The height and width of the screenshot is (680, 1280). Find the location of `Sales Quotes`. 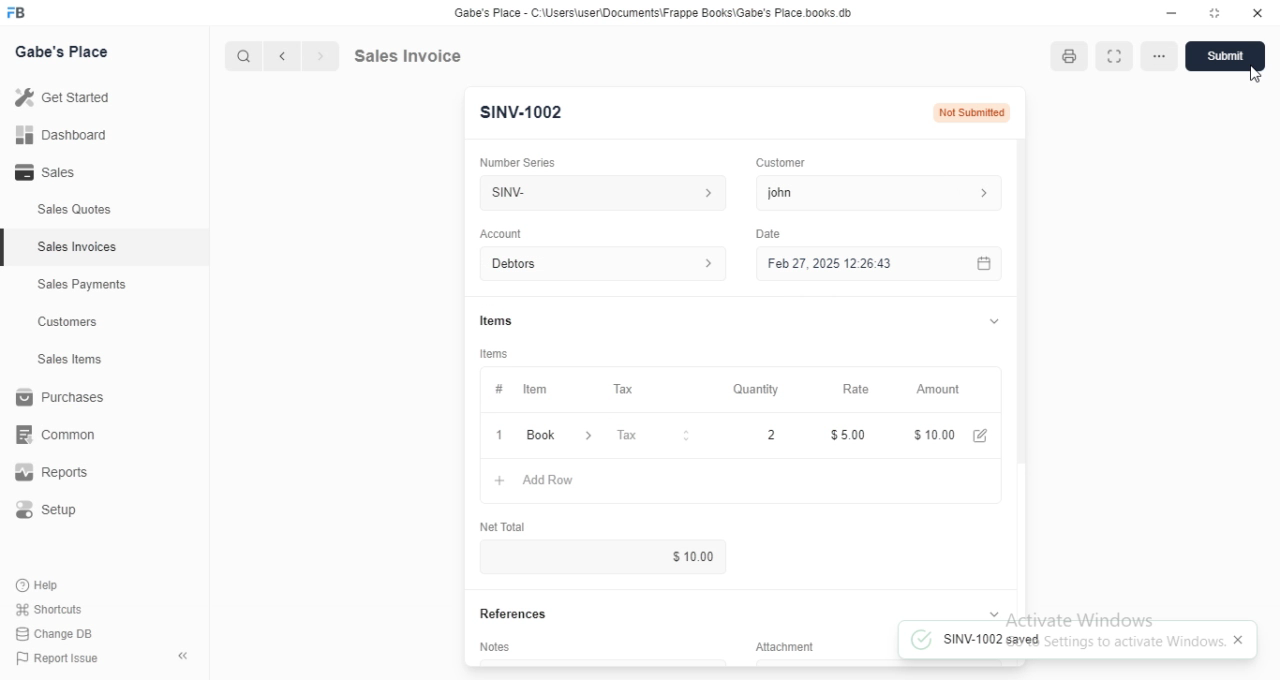

Sales Quotes is located at coordinates (74, 212).